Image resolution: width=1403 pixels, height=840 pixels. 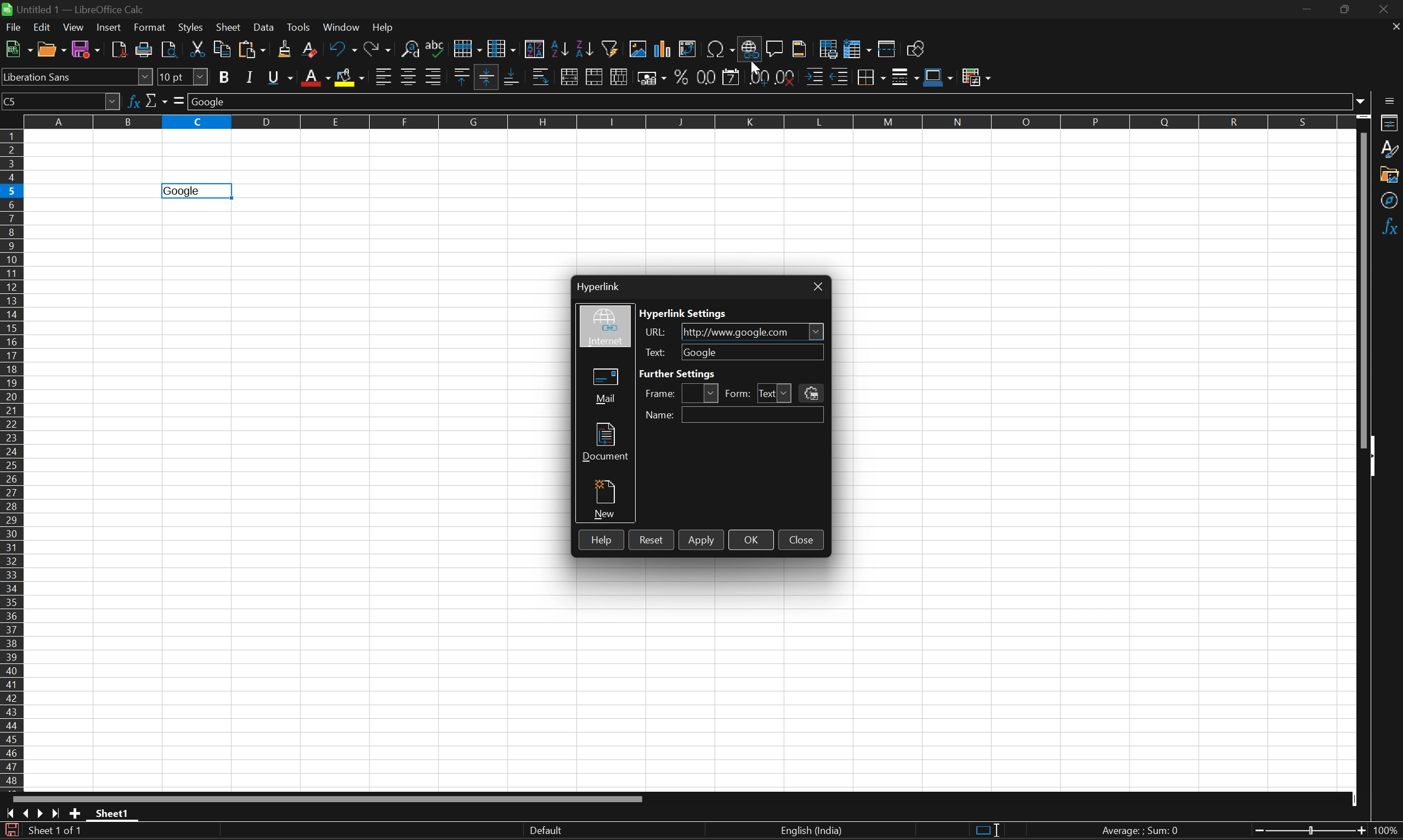 What do you see at coordinates (136, 101) in the screenshot?
I see `Function wizard` at bounding box center [136, 101].